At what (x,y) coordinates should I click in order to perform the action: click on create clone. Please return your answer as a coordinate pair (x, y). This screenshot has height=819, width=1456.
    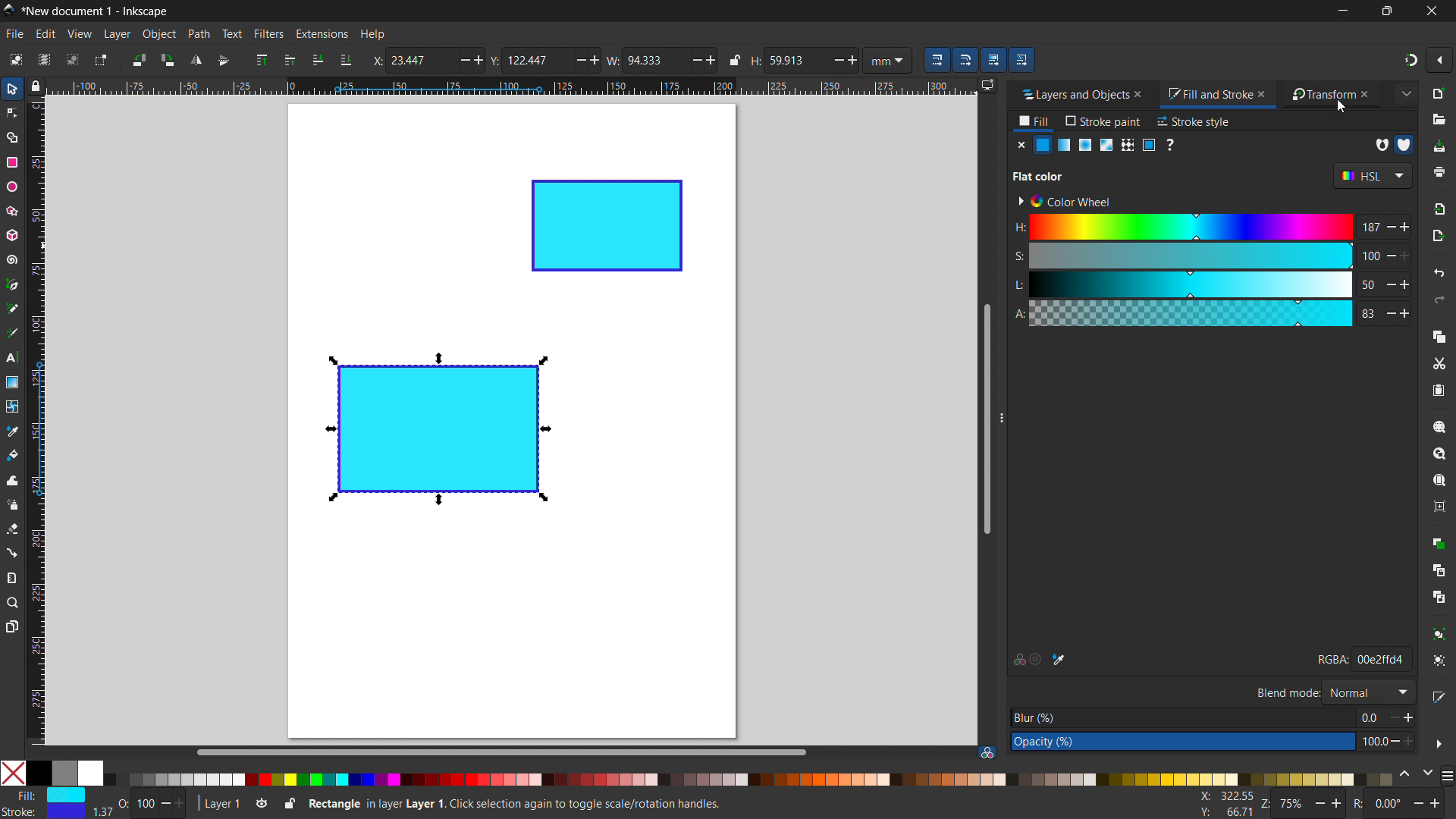
    Looking at the image, I should click on (1438, 569).